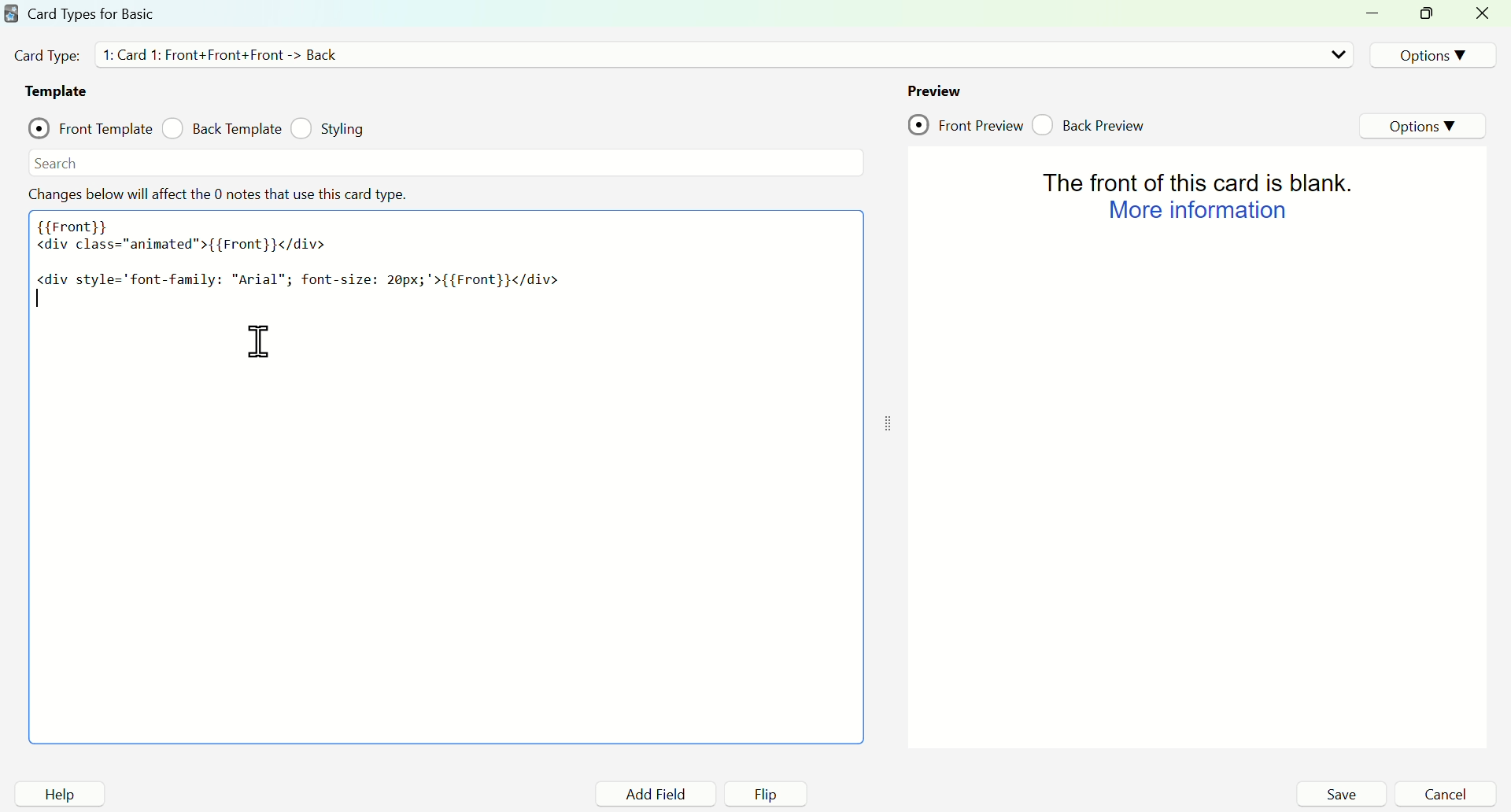 This screenshot has width=1511, height=812. What do you see at coordinates (10, 13) in the screenshot?
I see `logo` at bounding box center [10, 13].